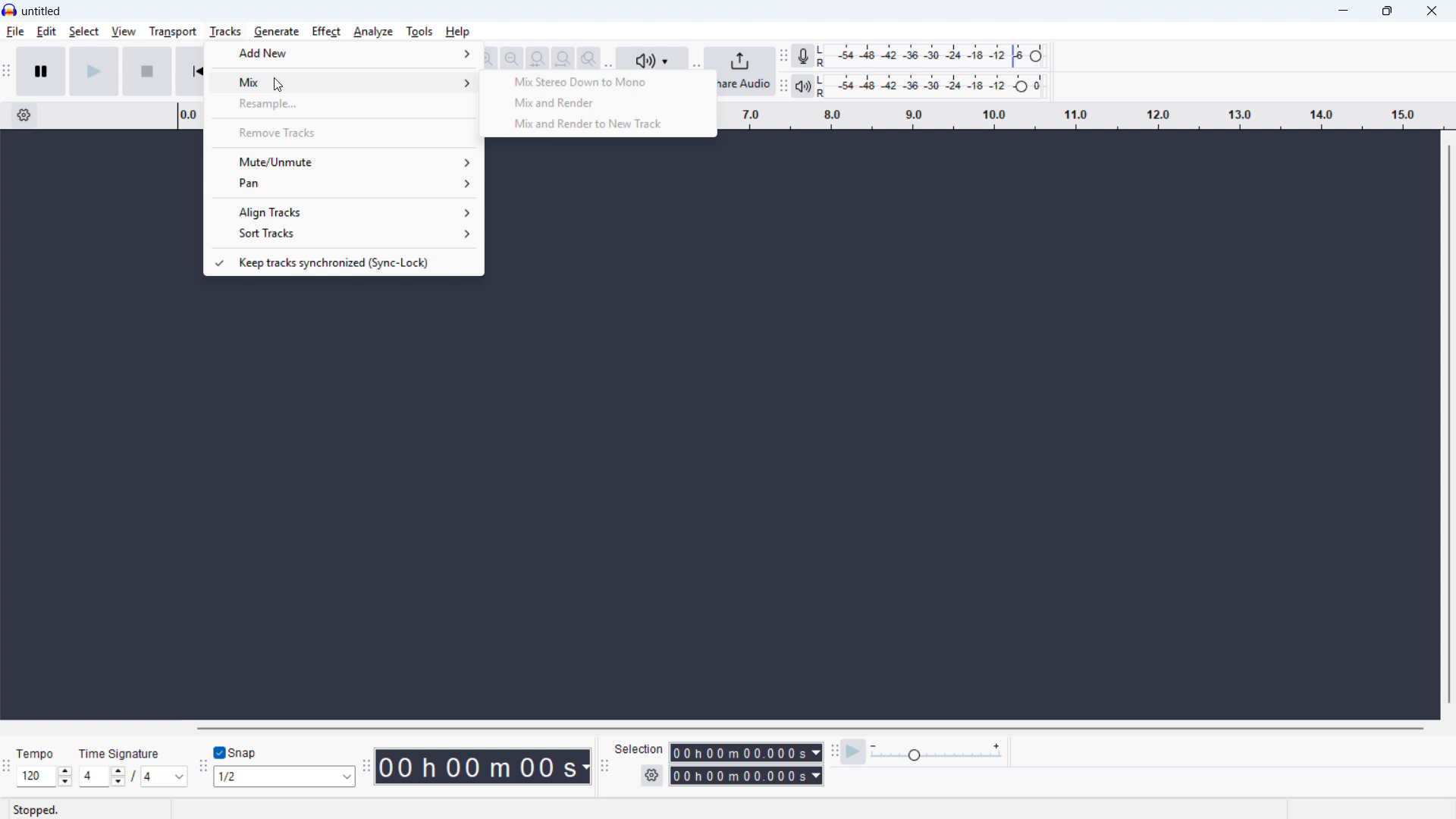 This screenshot has height=819, width=1456. I want to click on Time toolbar , so click(366, 767).